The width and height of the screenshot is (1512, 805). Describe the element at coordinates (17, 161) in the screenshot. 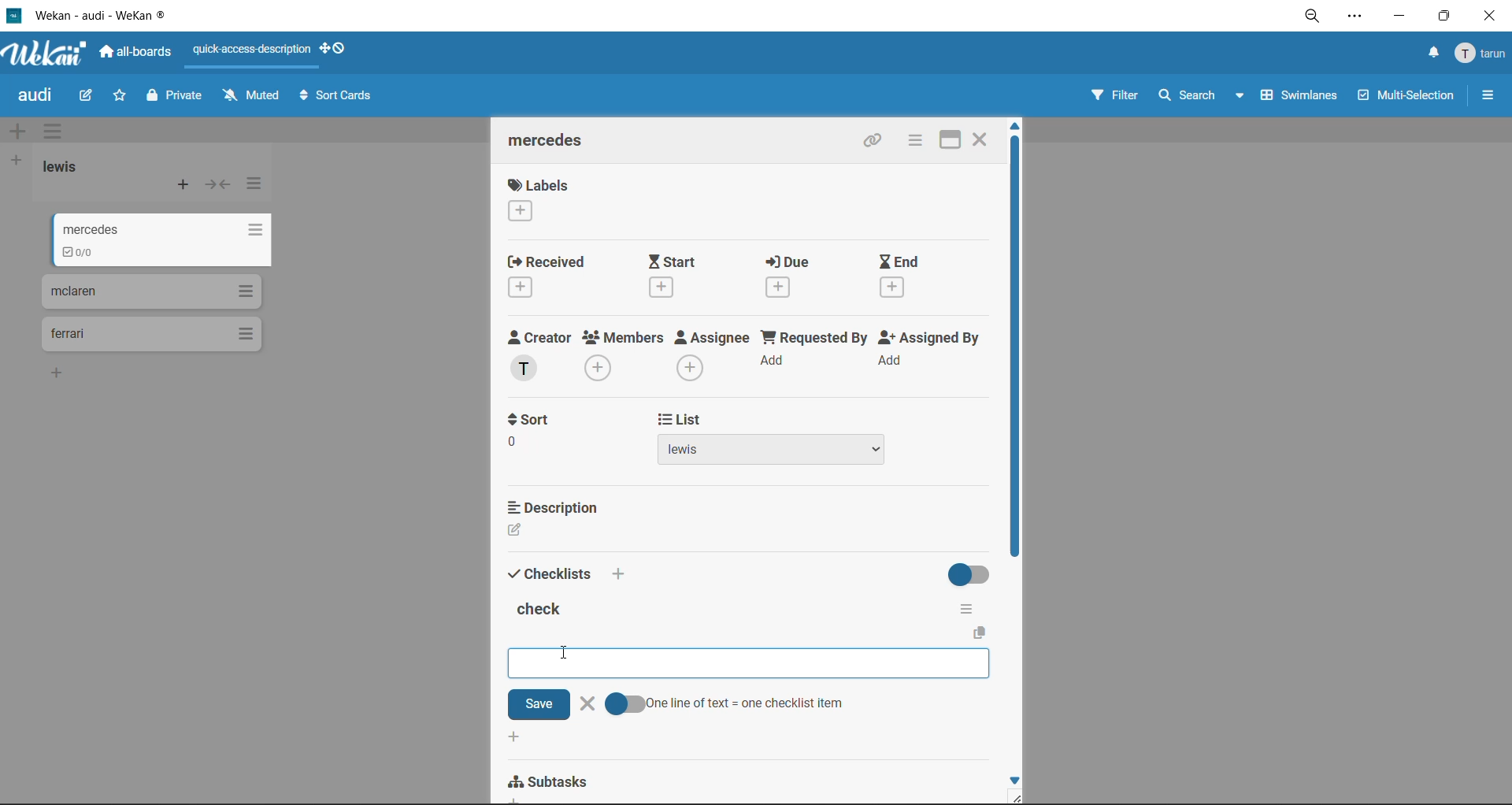

I see `add list` at that location.